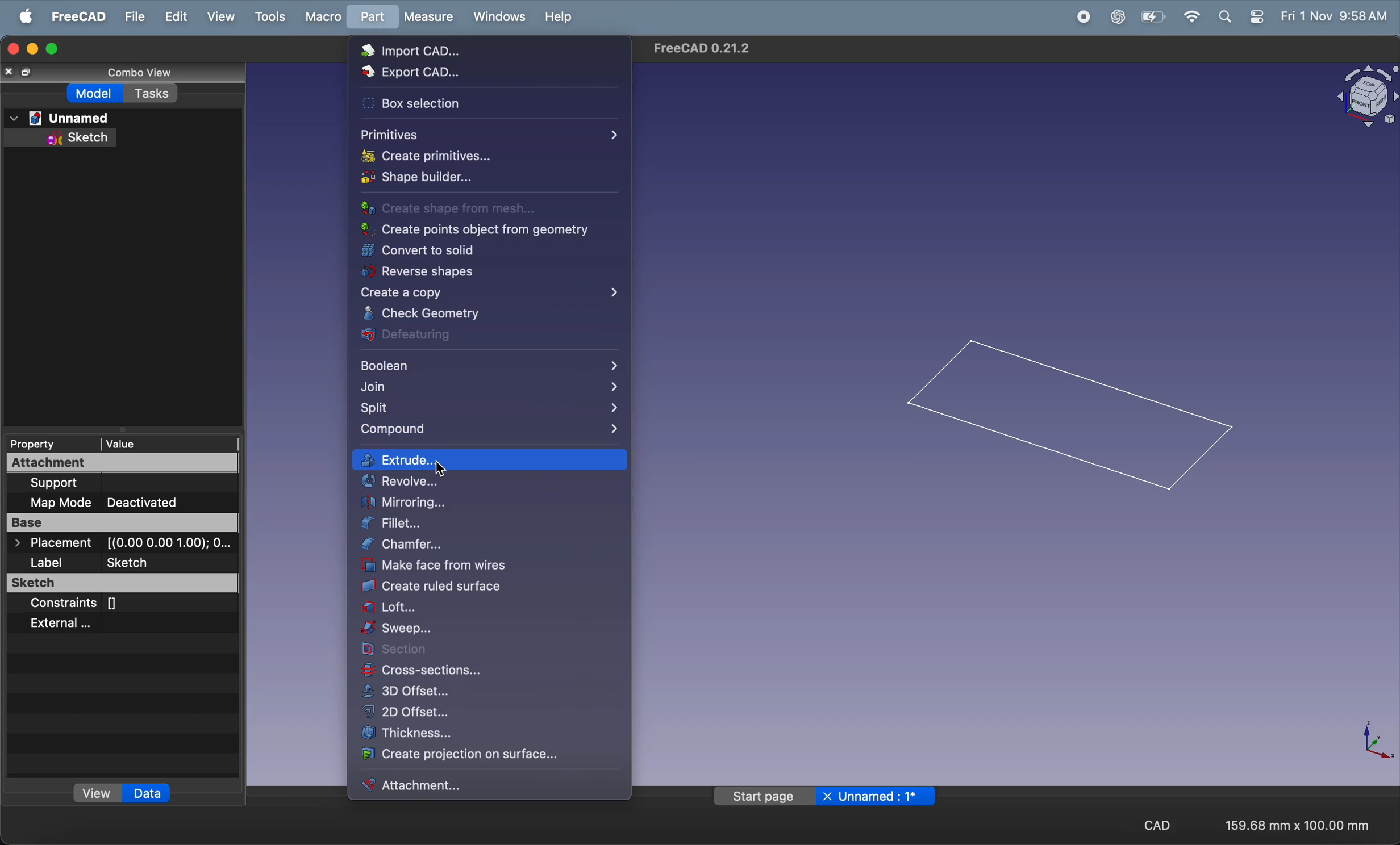  I want to click on extrude, so click(493, 459).